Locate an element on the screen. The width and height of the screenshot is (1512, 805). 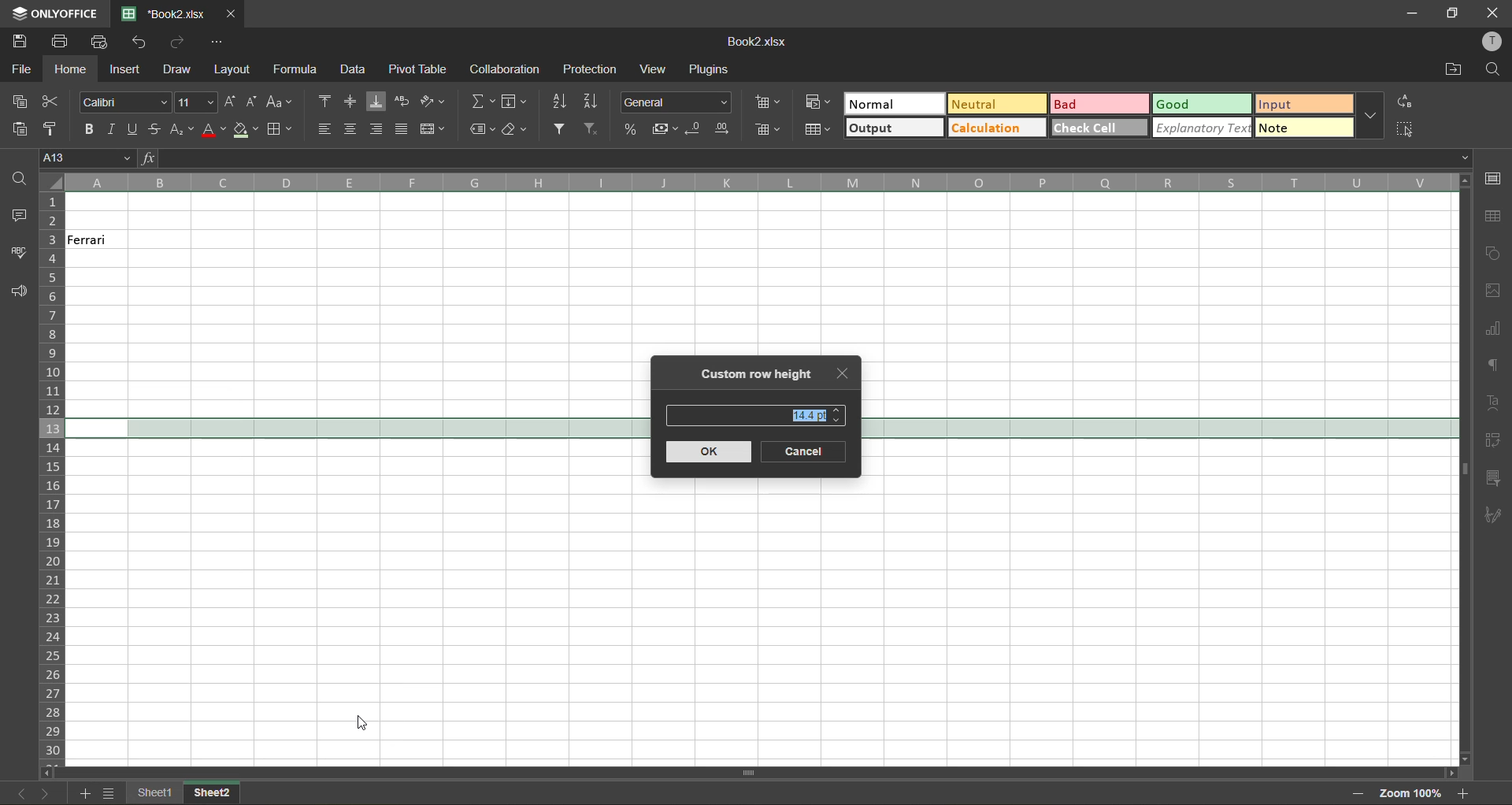
font color is located at coordinates (213, 131).